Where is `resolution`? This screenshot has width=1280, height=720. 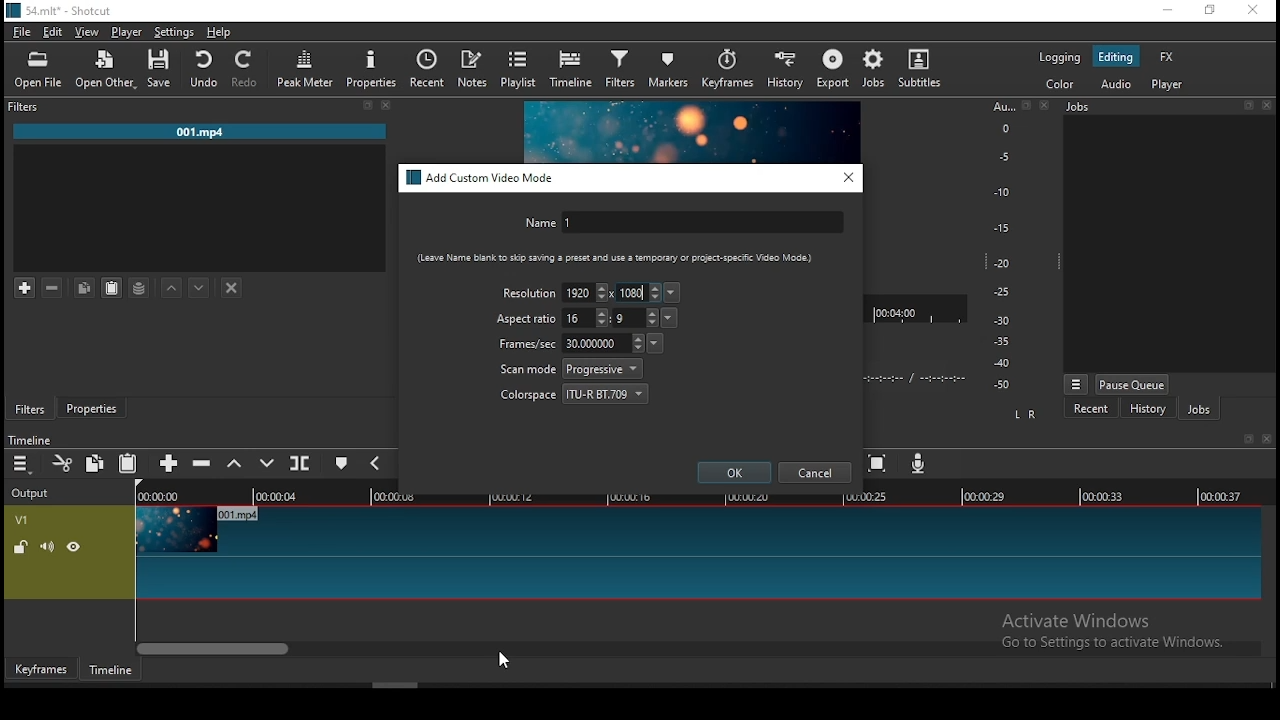 resolution is located at coordinates (527, 292).